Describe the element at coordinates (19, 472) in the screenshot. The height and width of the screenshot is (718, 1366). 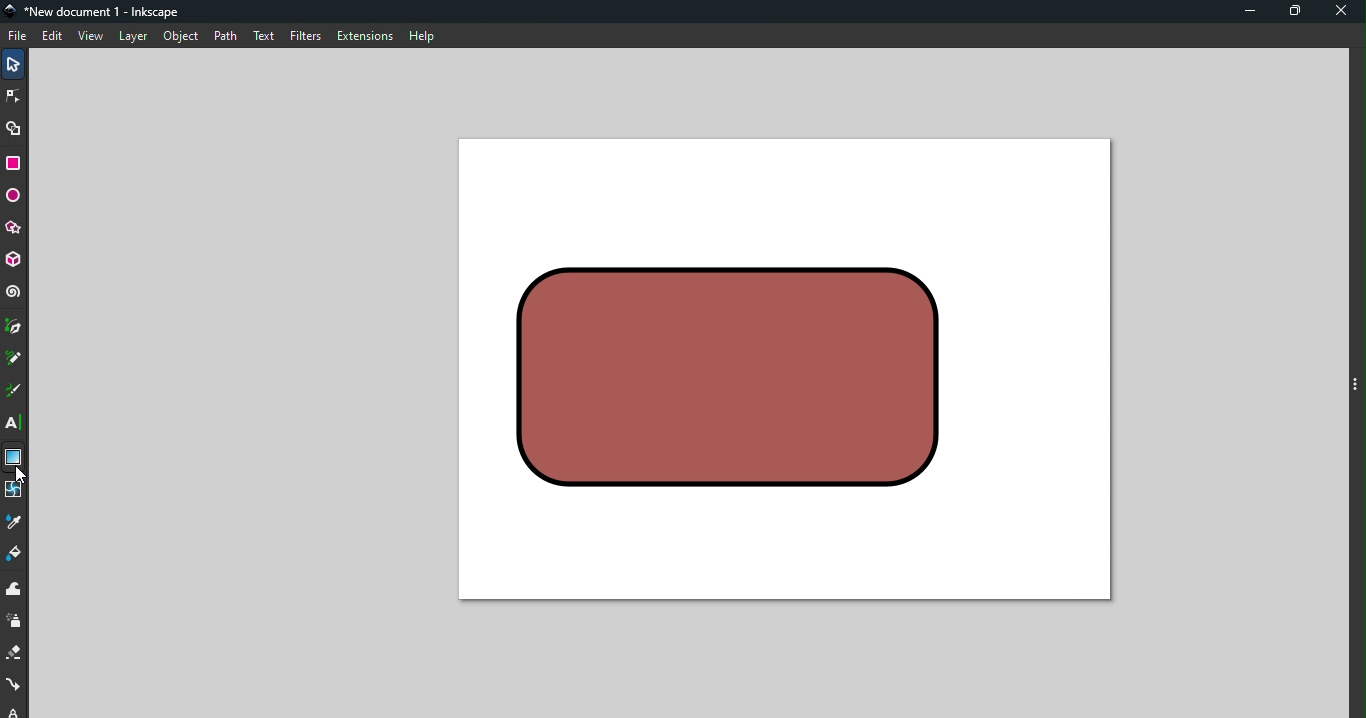
I see `cursor` at that location.